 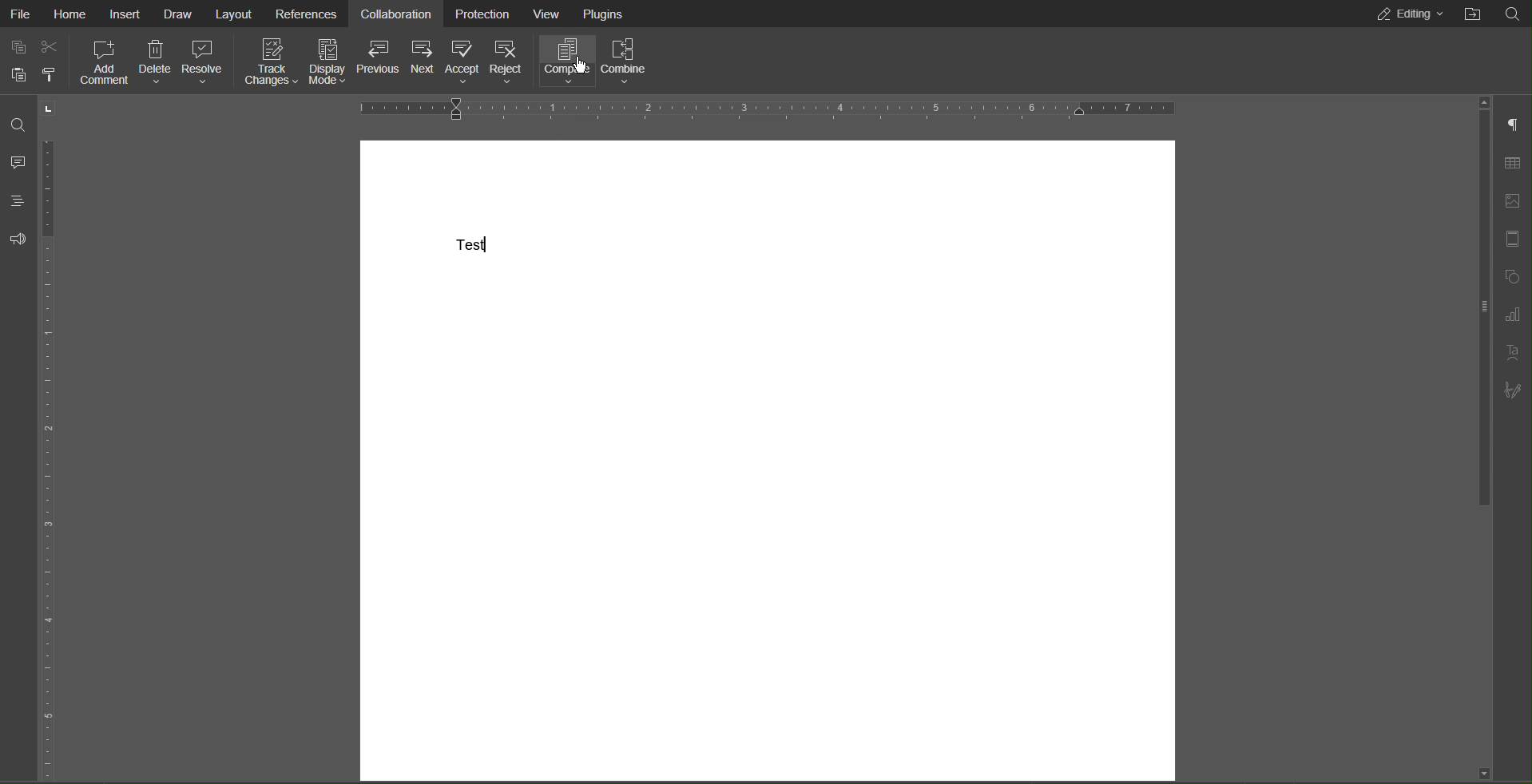 I want to click on Paragraph Settings, so click(x=1514, y=125).